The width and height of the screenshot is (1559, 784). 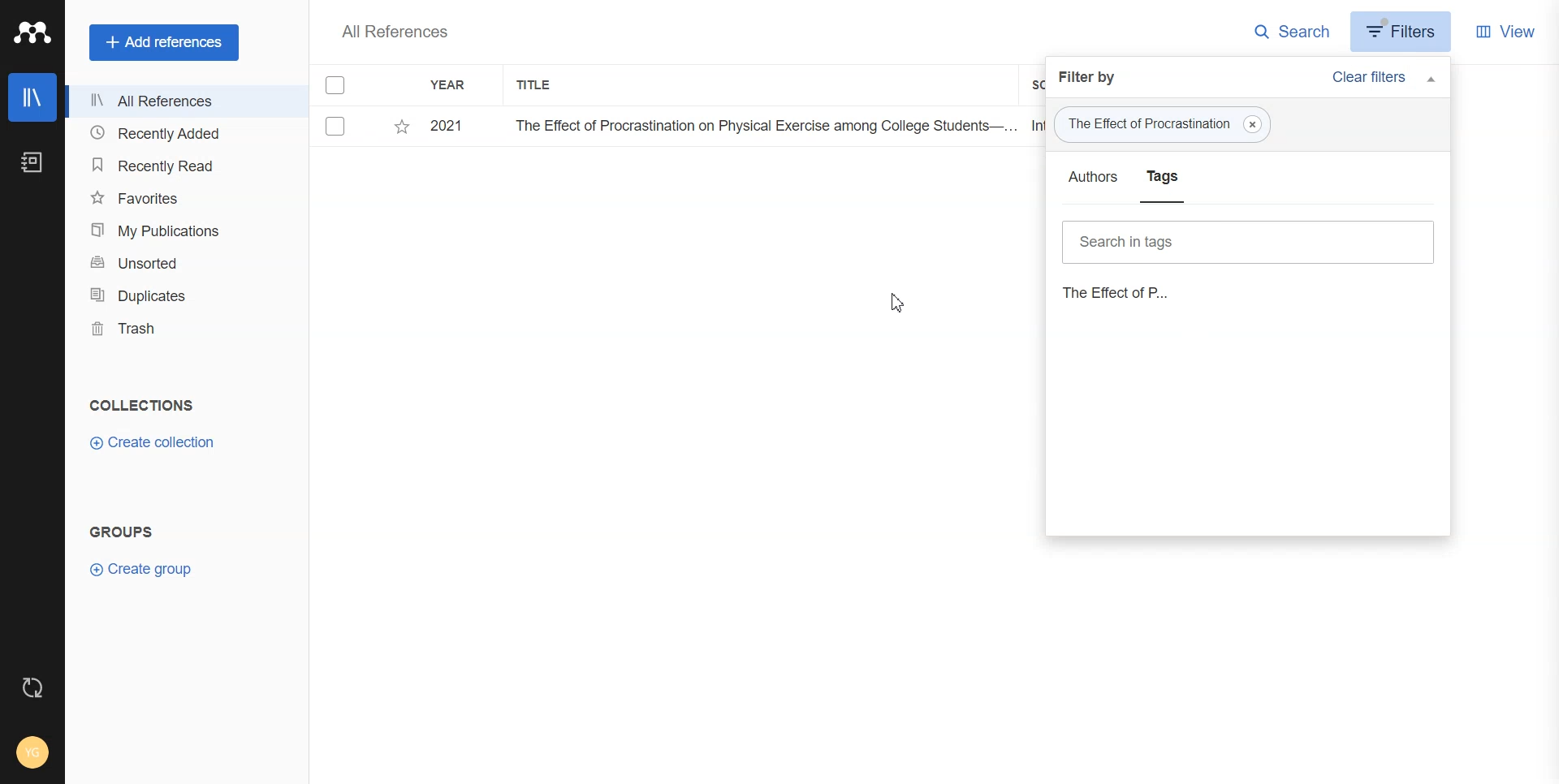 I want to click on Favorites, so click(x=176, y=200).